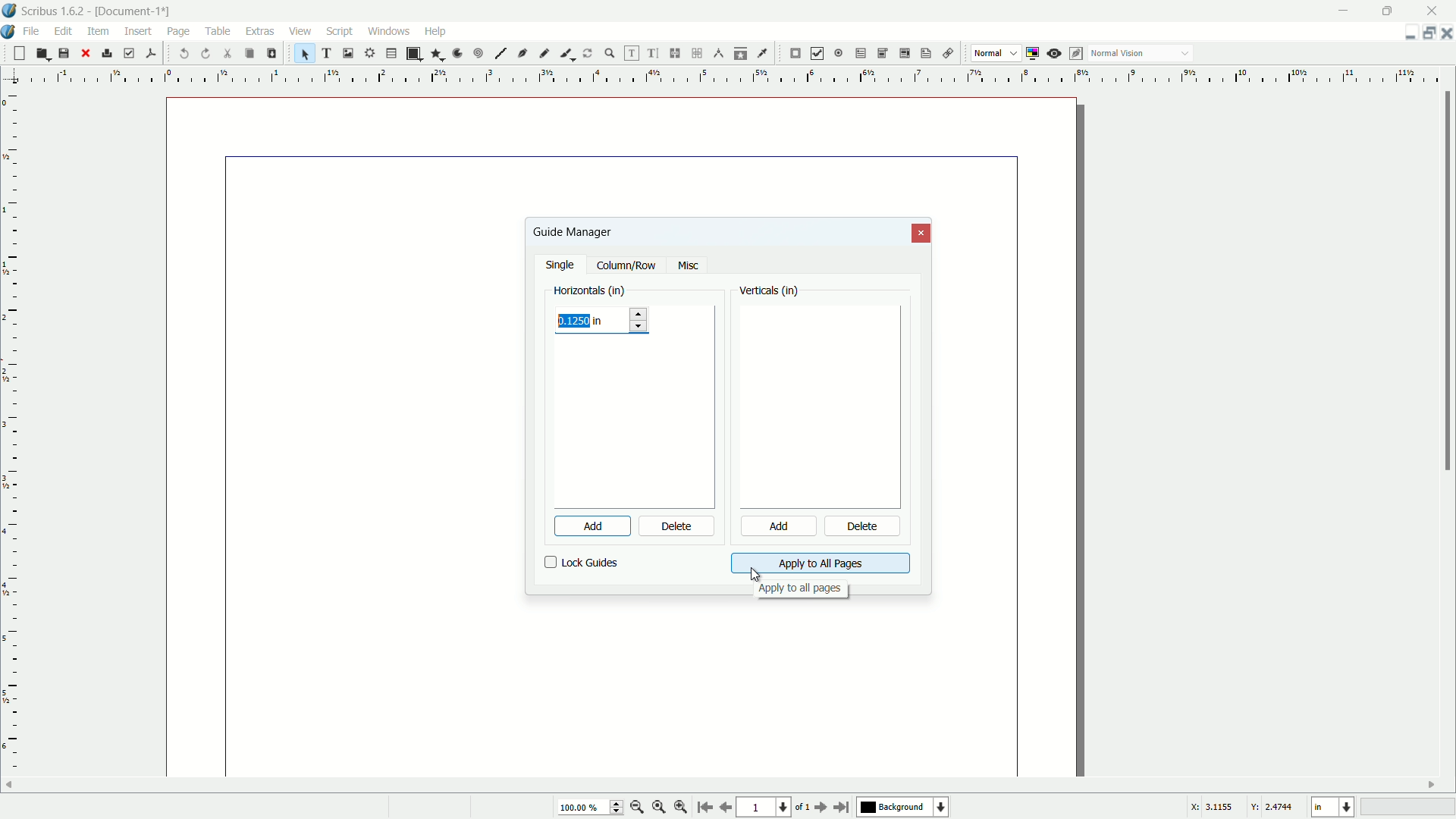  Describe the element at coordinates (902, 55) in the screenshot. I see `pdf list box` at that location.